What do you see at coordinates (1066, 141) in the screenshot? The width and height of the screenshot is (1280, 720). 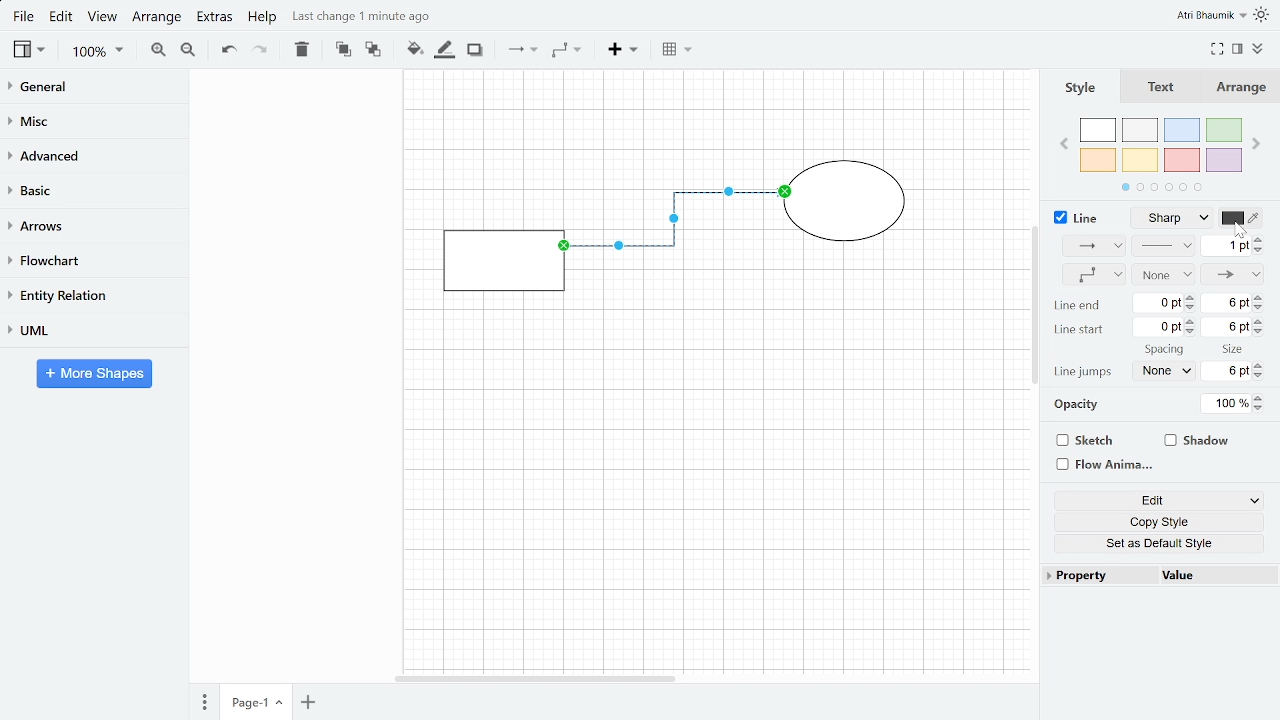 I see `Previous` at bounding box center [1066, 141].